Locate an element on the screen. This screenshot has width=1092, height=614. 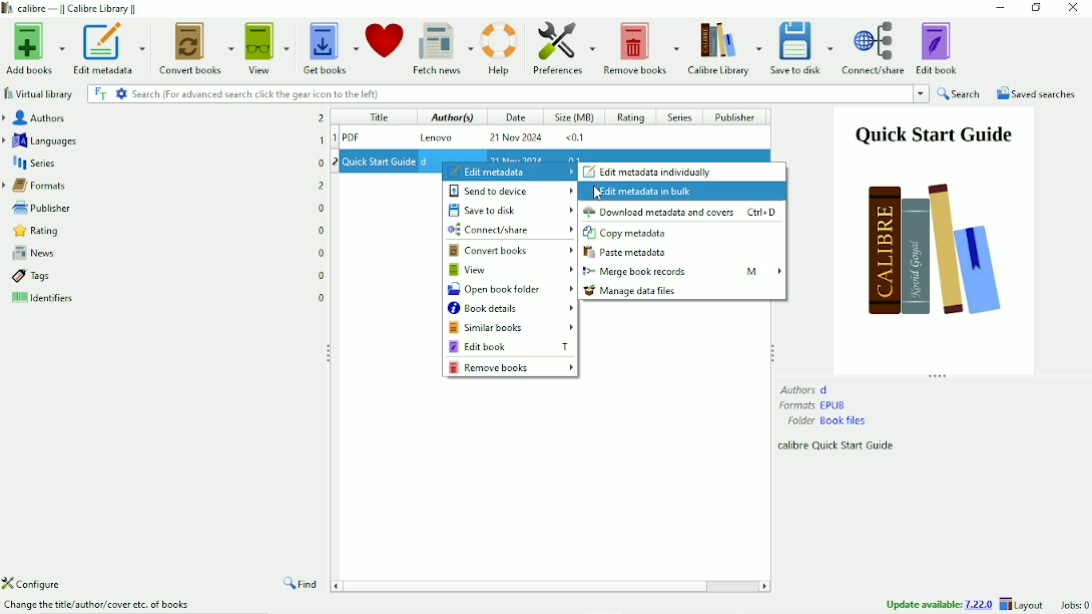
Connect/share is located at coordinates (874, 48).